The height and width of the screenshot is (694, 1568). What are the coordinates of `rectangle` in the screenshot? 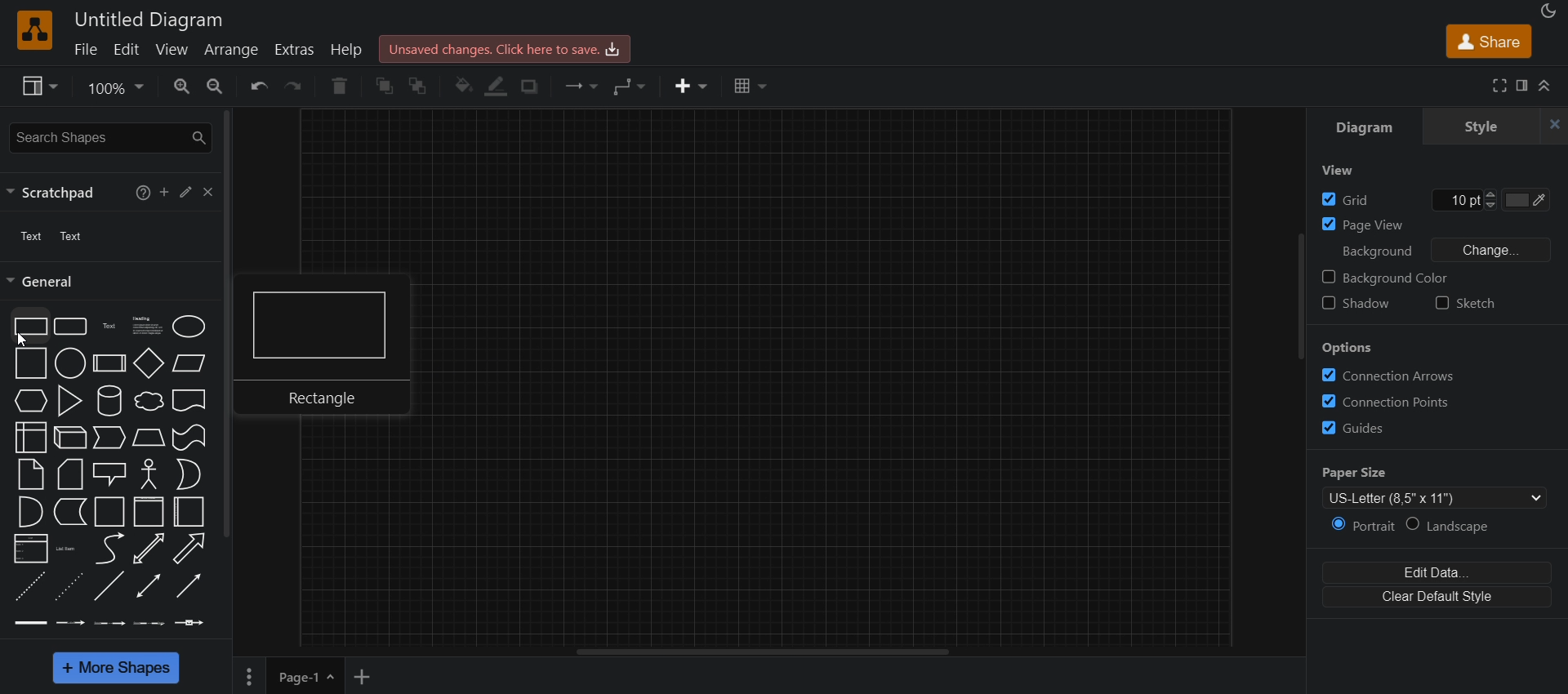 It's located at (29, 326).